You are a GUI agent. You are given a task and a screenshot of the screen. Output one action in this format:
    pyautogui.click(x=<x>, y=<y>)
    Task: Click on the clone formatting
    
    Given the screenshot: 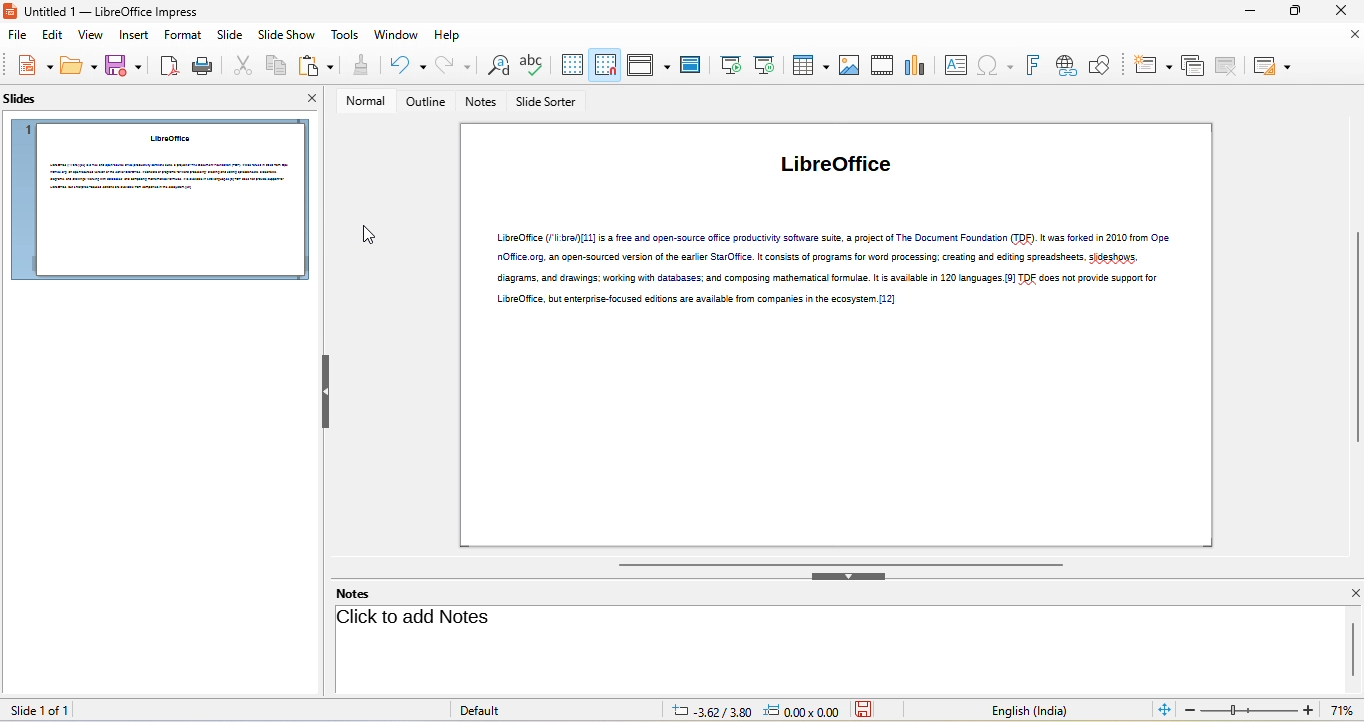 What is the action you would take?
    pyautogui.click(x=359, y=65)
    